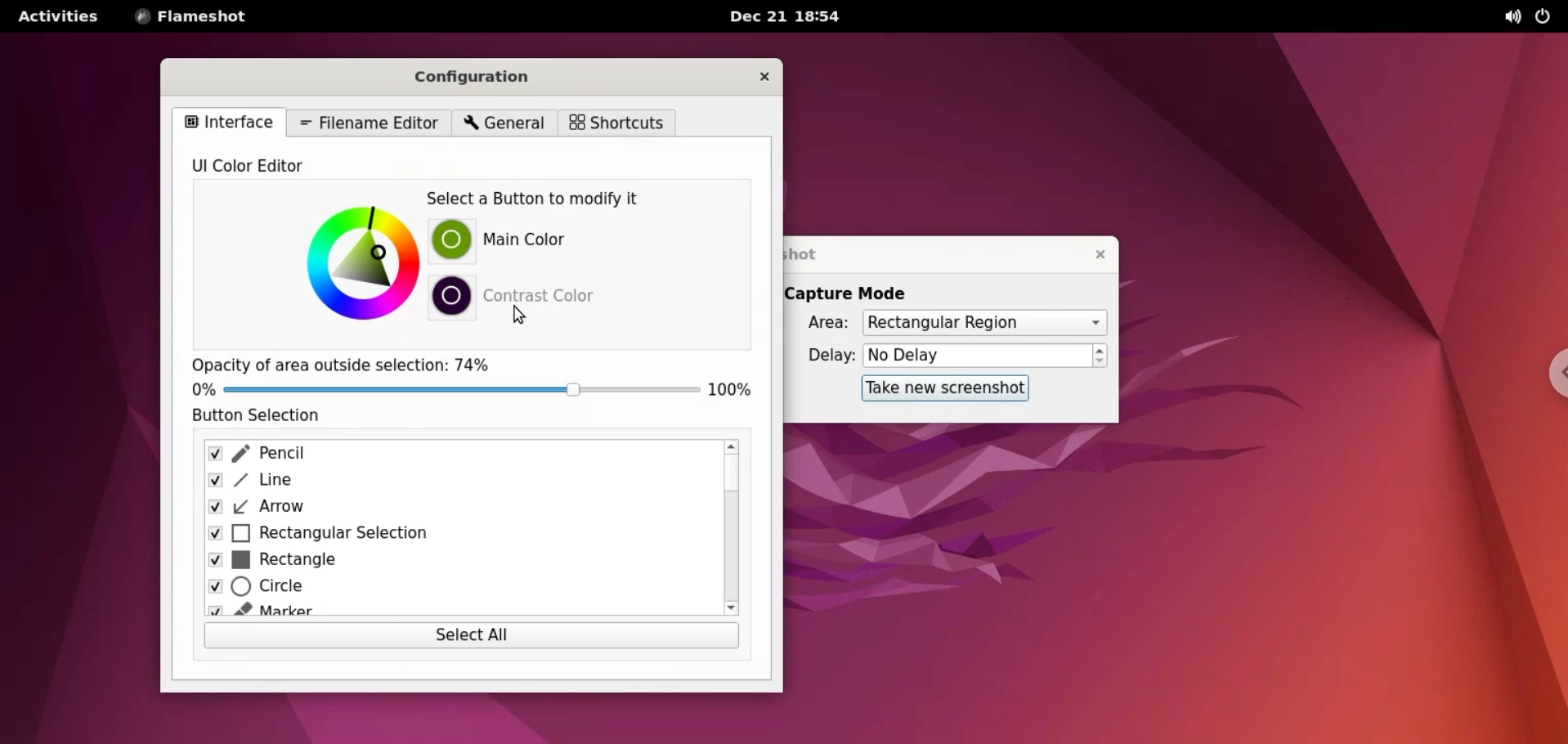  Describe the element at coordinates (452, 453) in the screenshot. I see `pencil checkbox` at that location.